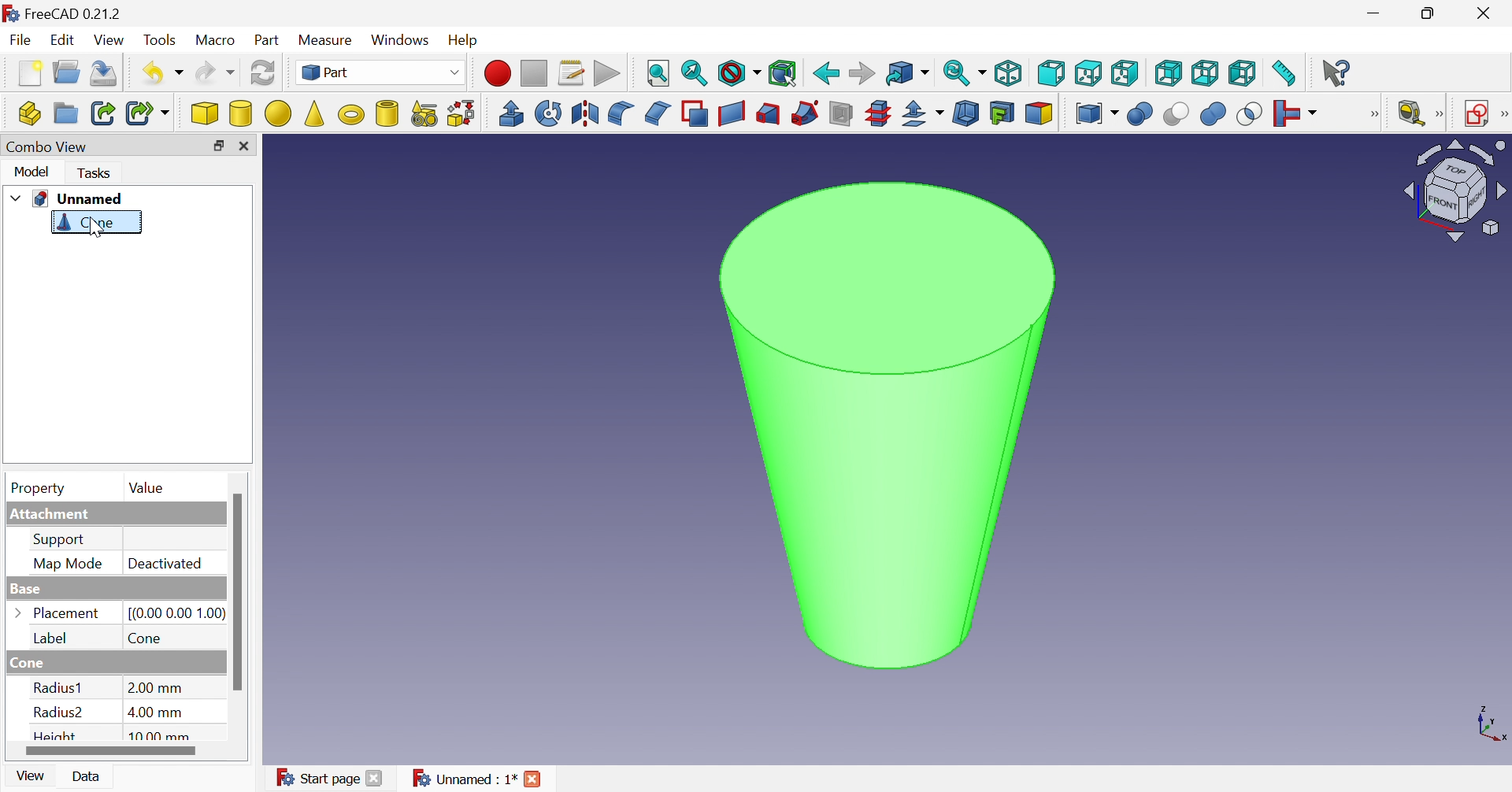 Image resolution: width=1512 pixels, height=792 pixels. I want to click on Viewing angle, so click(1452, 192).